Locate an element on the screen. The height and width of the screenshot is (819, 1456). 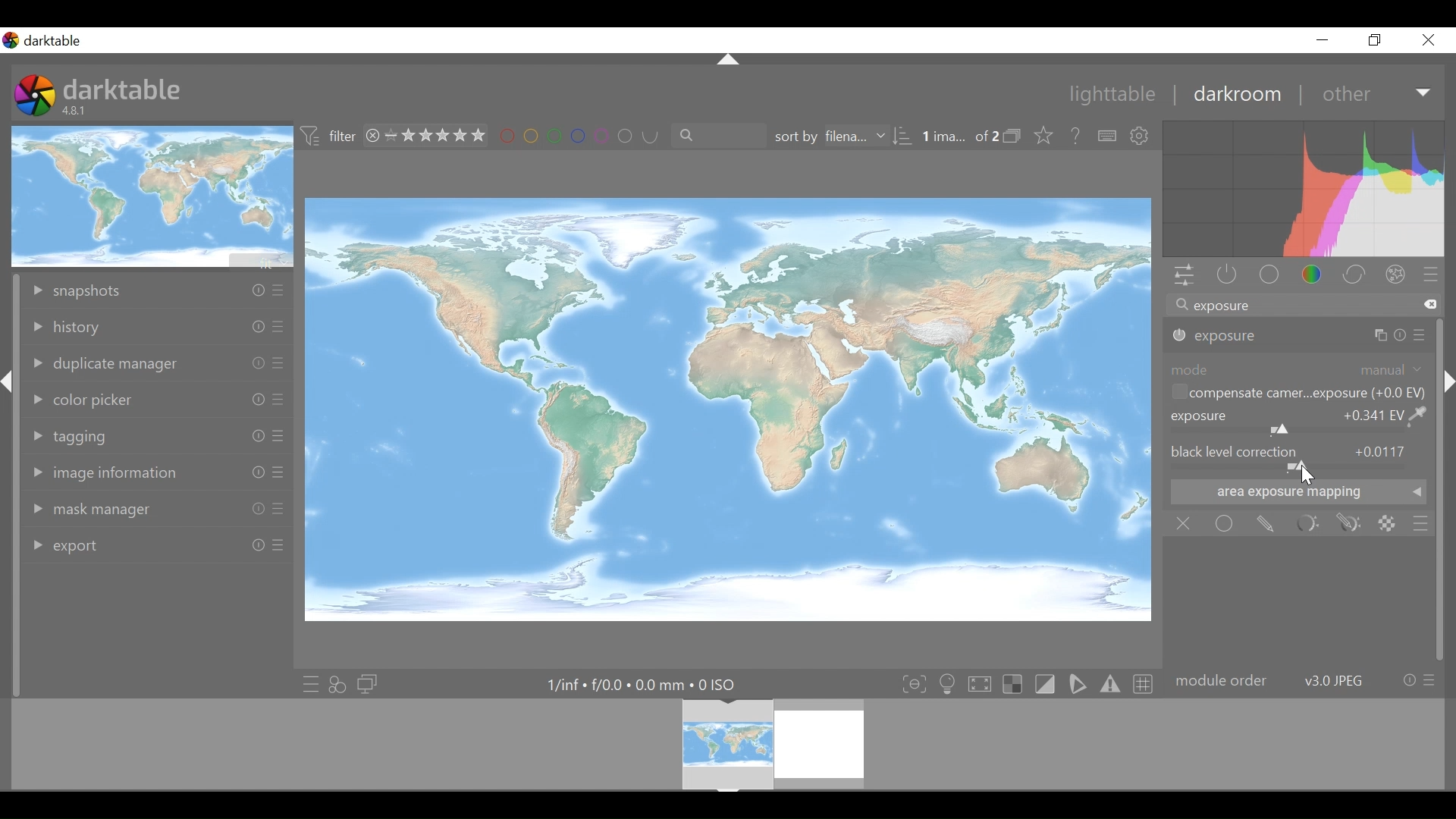
hide is located at coordinates (1447, 379).